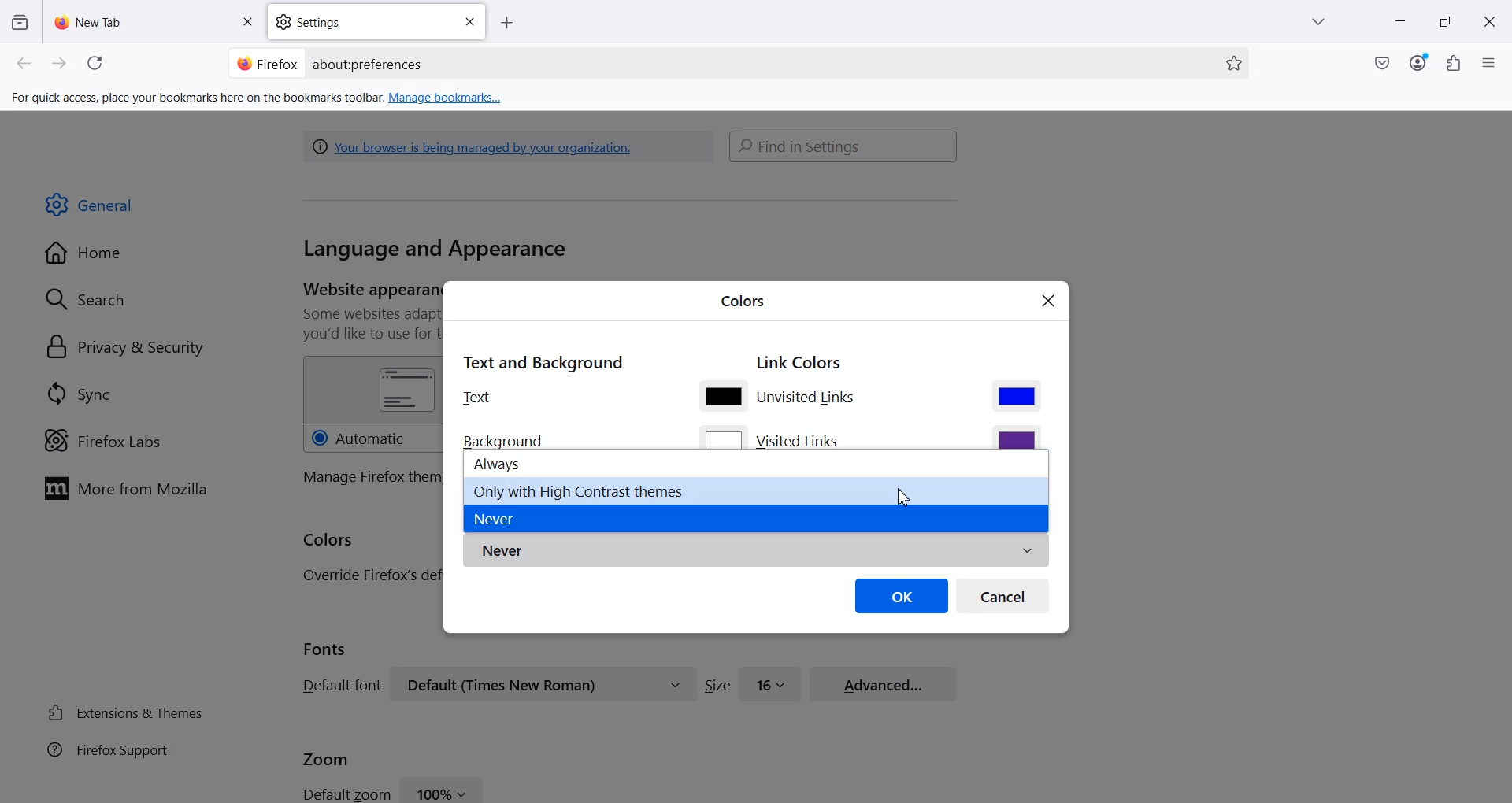 Image resolution: width=1512 pixels, height=803 pixels. I want to click on Never , so click(755, 551).